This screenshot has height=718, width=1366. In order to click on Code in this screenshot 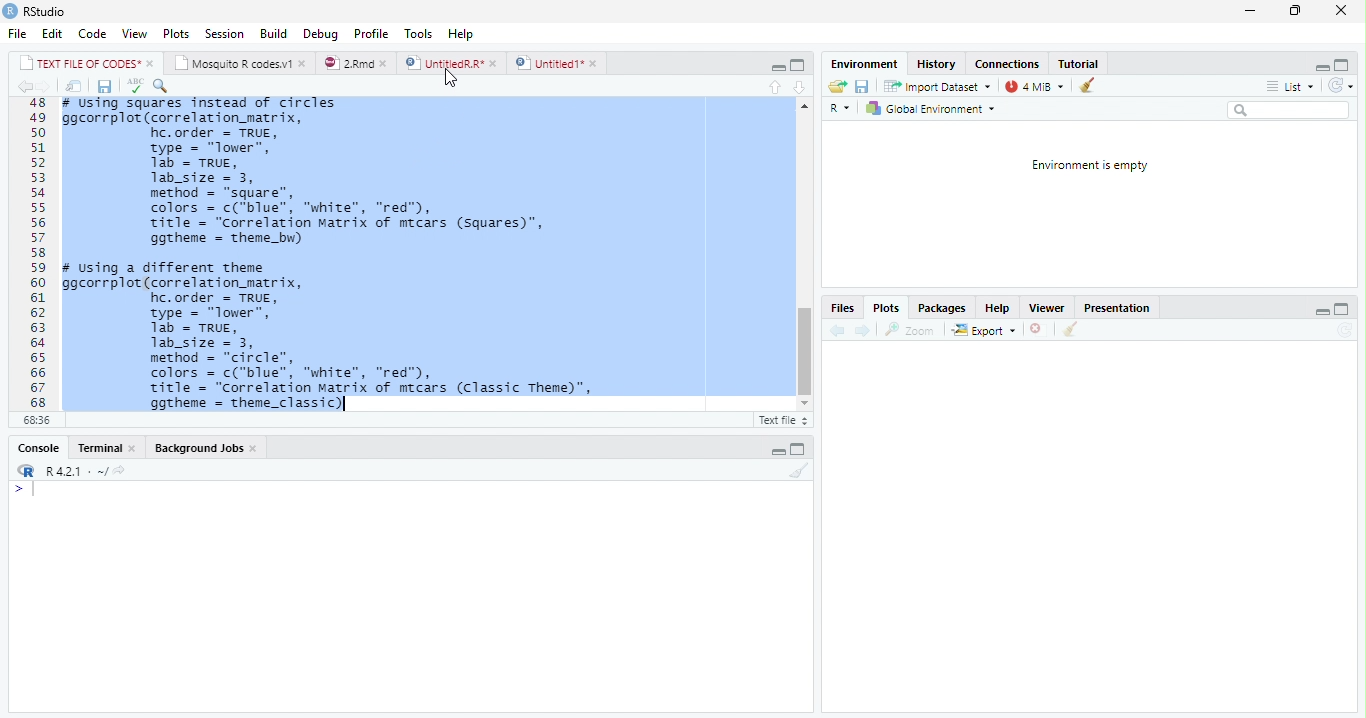, I will do `click(92, 35)`.